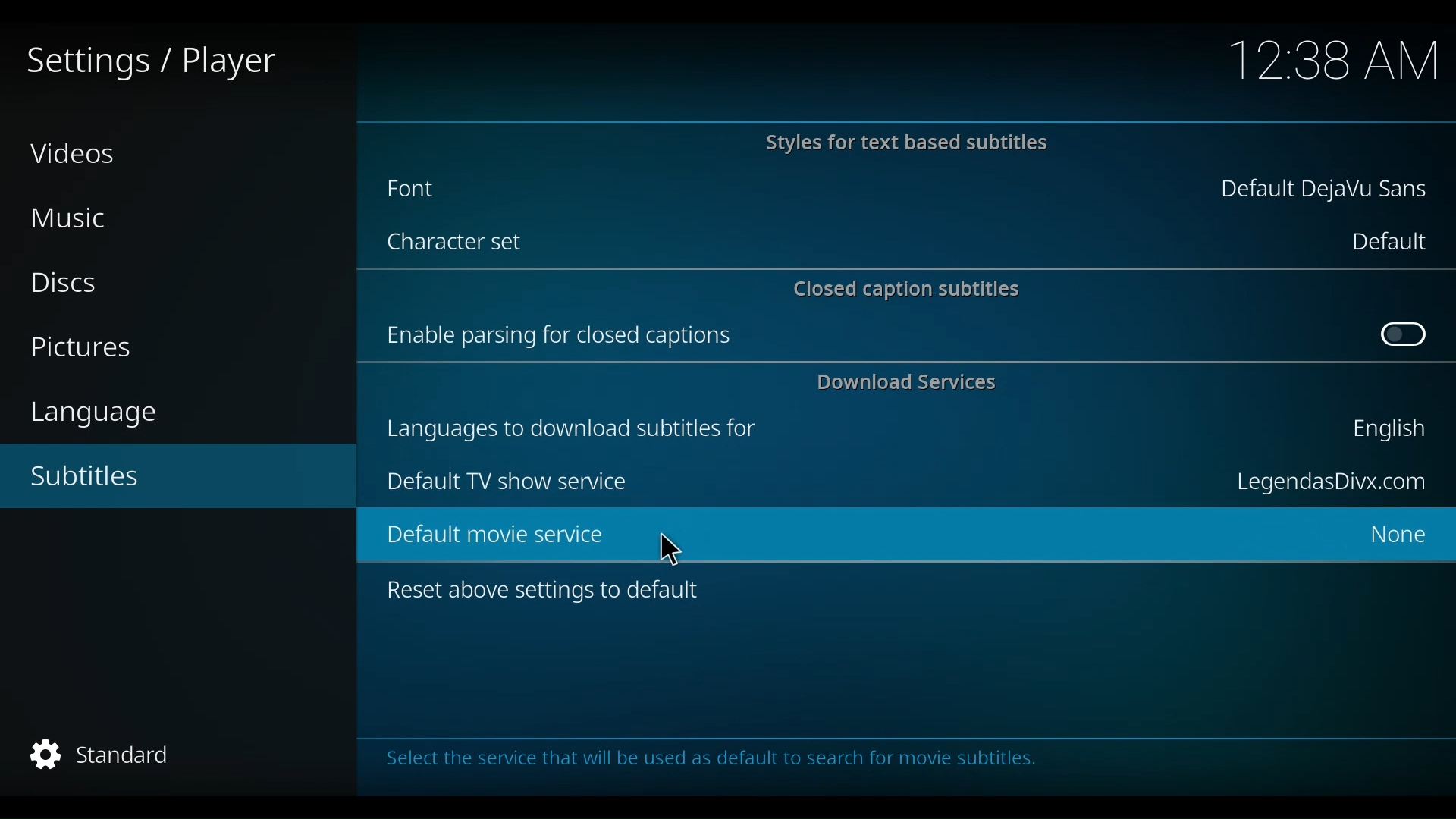  Describe the element at coordinates (1392, 538) in the screenshot. I see `None` at that location.